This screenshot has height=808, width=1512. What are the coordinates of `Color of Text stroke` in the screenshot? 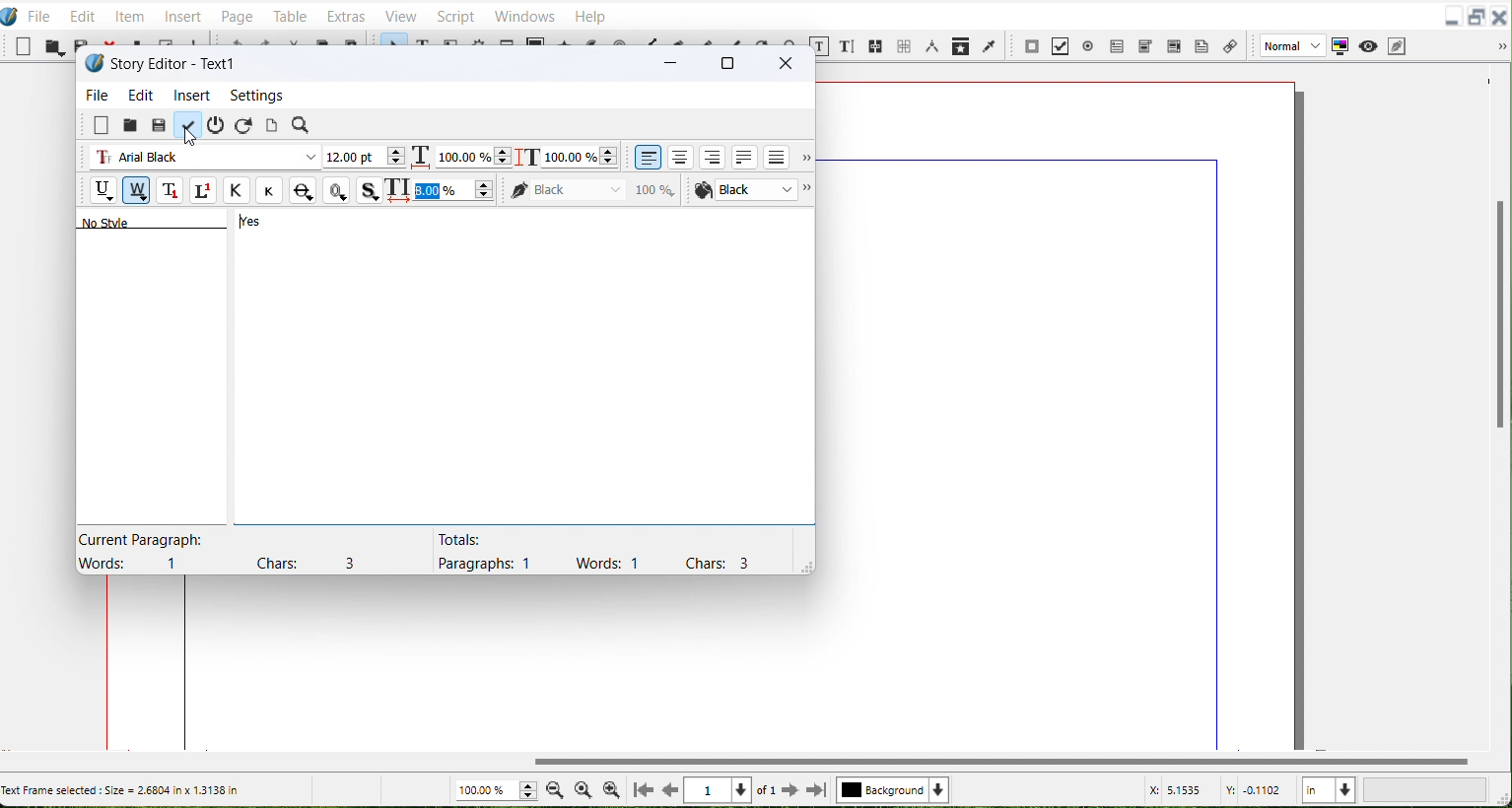 It's located at (593, 190).